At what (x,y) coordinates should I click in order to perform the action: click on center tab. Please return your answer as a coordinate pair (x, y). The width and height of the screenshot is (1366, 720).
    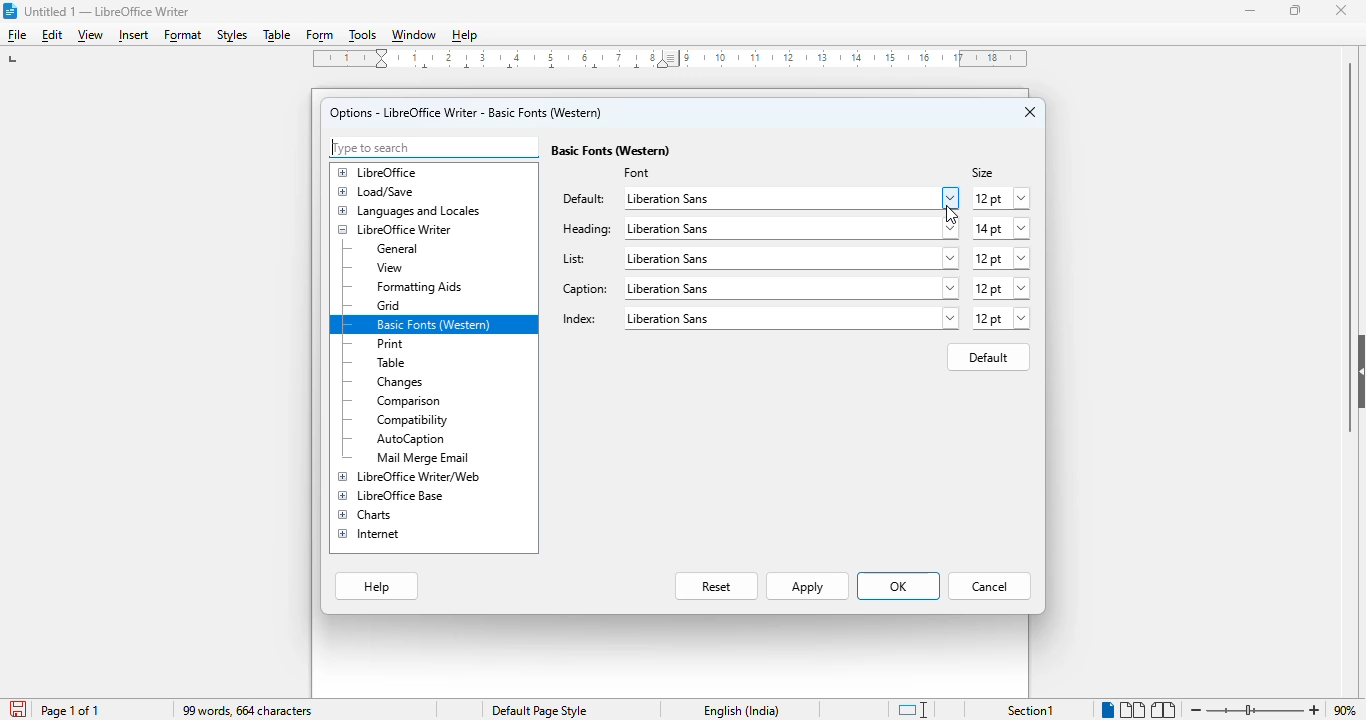
    Looking at the image, I should click on (642, 71).